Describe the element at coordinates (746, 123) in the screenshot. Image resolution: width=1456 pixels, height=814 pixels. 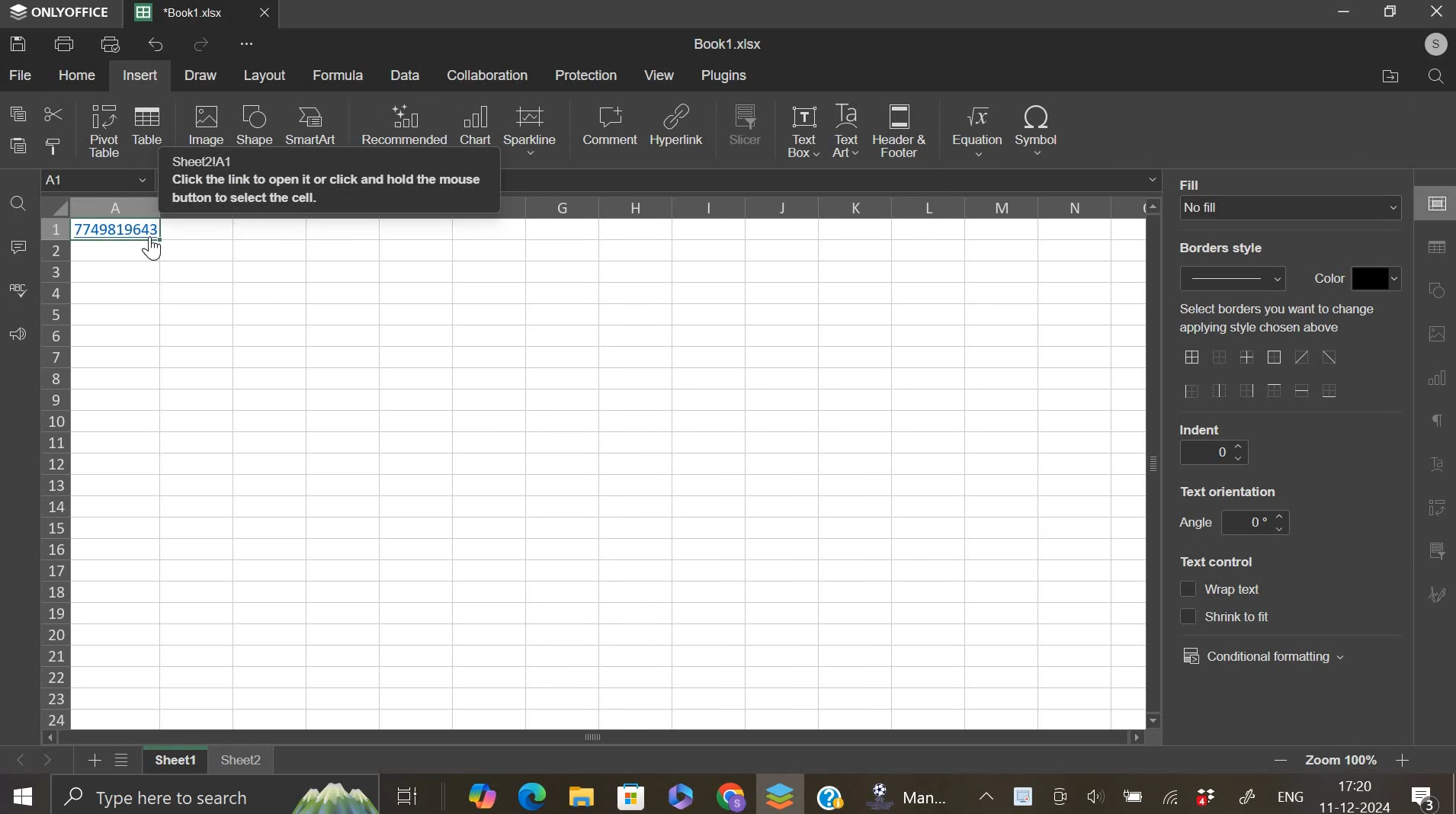
I see `slicer` at that location.